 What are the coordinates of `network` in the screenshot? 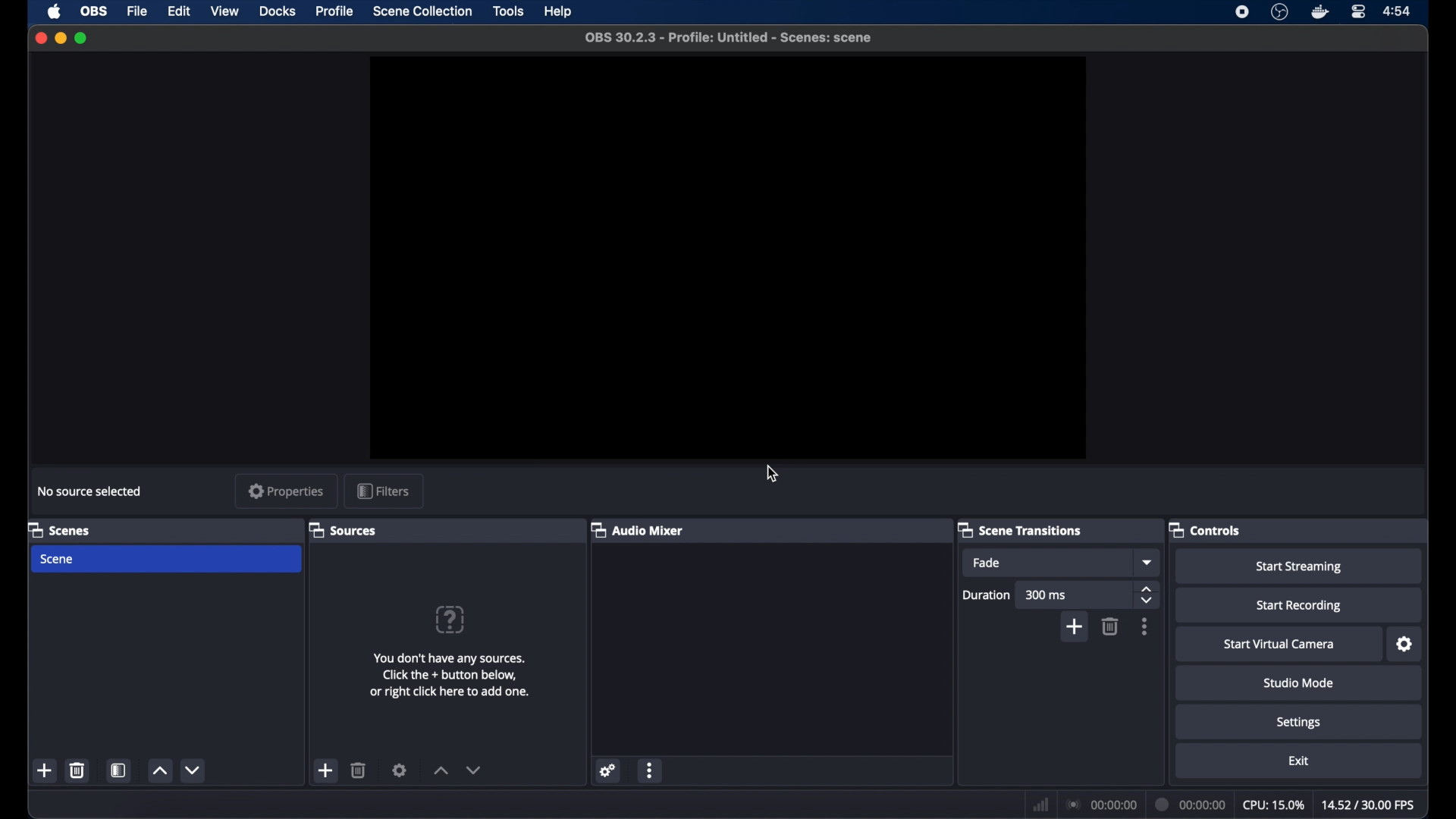 It's located at (1040, 803).